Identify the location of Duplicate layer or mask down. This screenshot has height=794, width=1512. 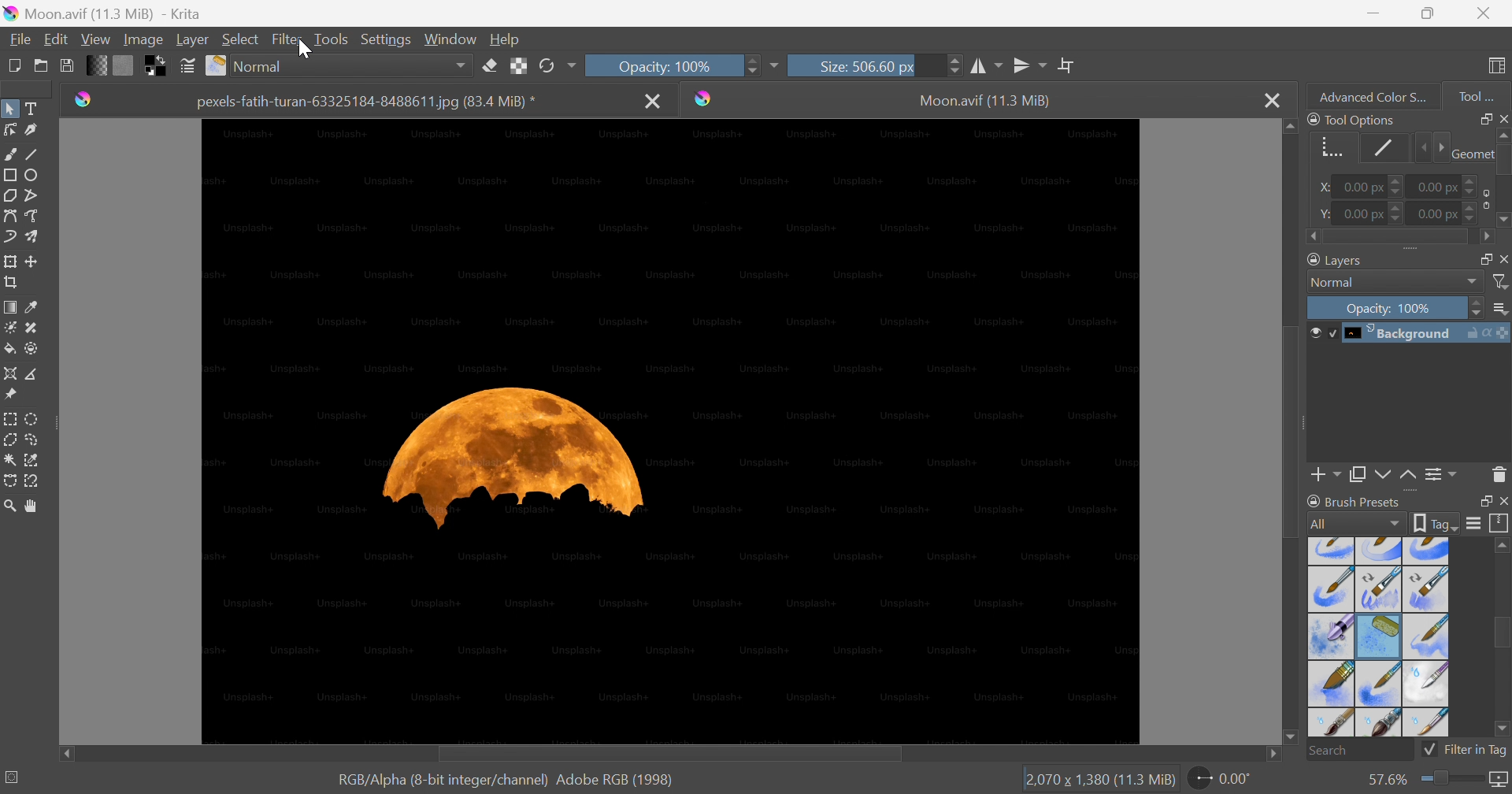
(1357, 477).